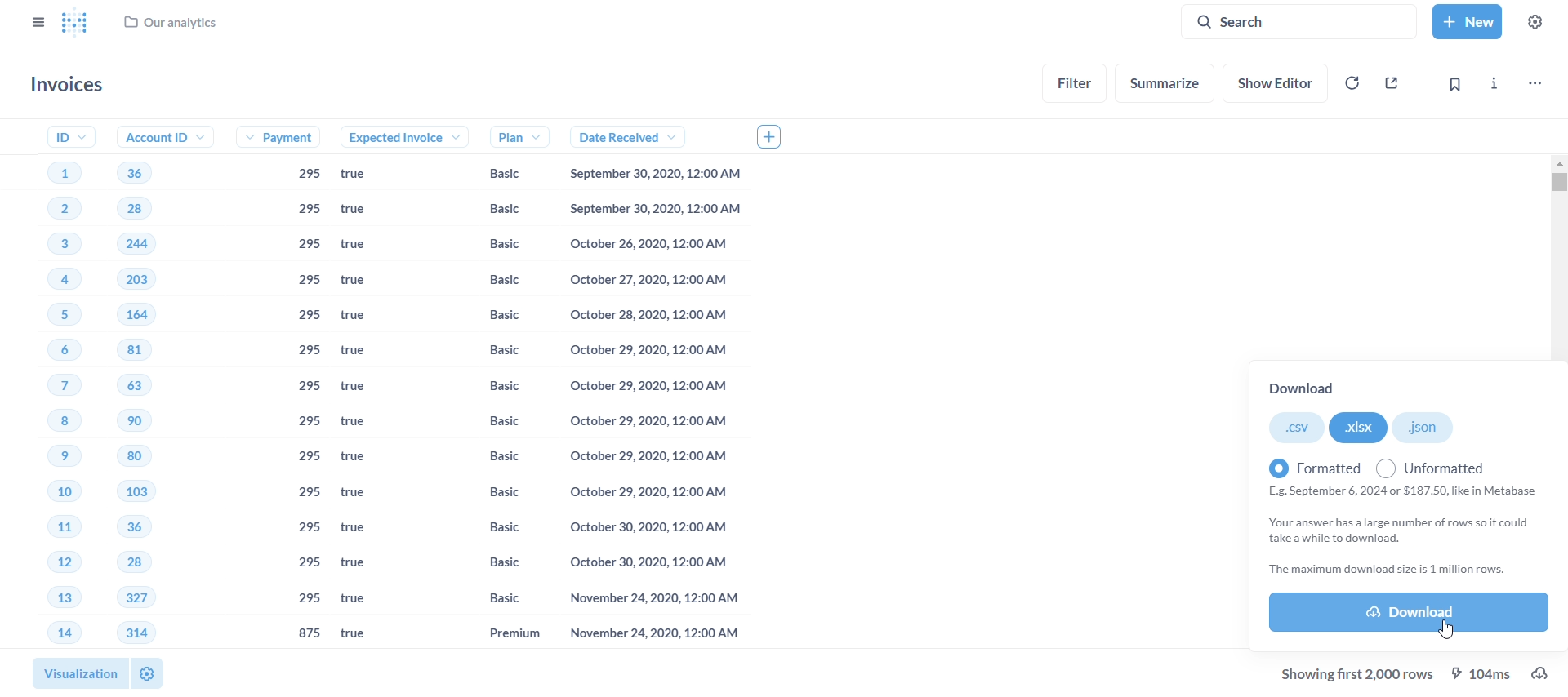  Describe the element at coordinates (307, 282) in the screenshot. I see `295` at that location.